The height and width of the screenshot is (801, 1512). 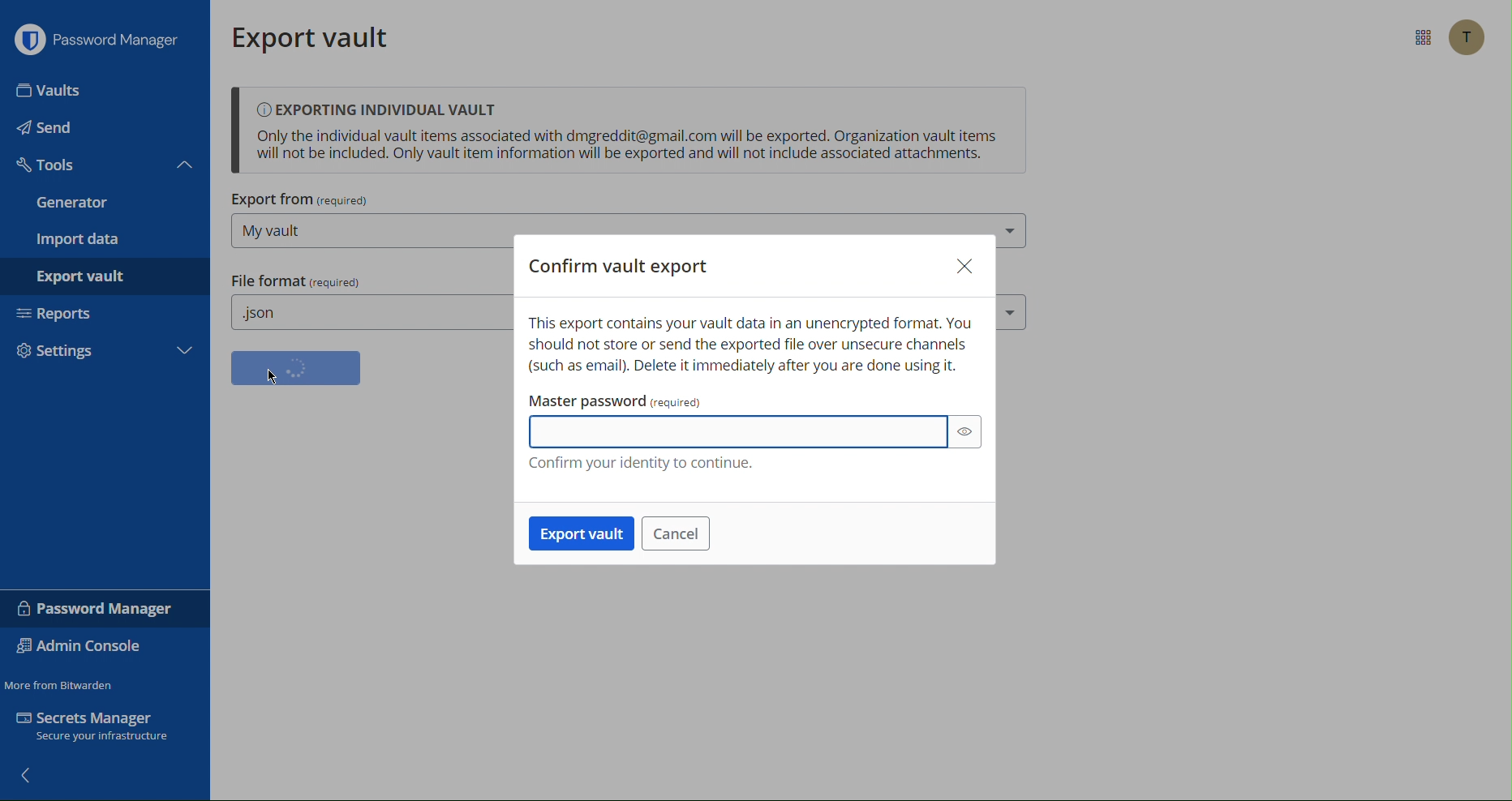 What do you see at coordinates (49, 165) in the screenshot?
I see `Tools` at bounding box center [49, 165].